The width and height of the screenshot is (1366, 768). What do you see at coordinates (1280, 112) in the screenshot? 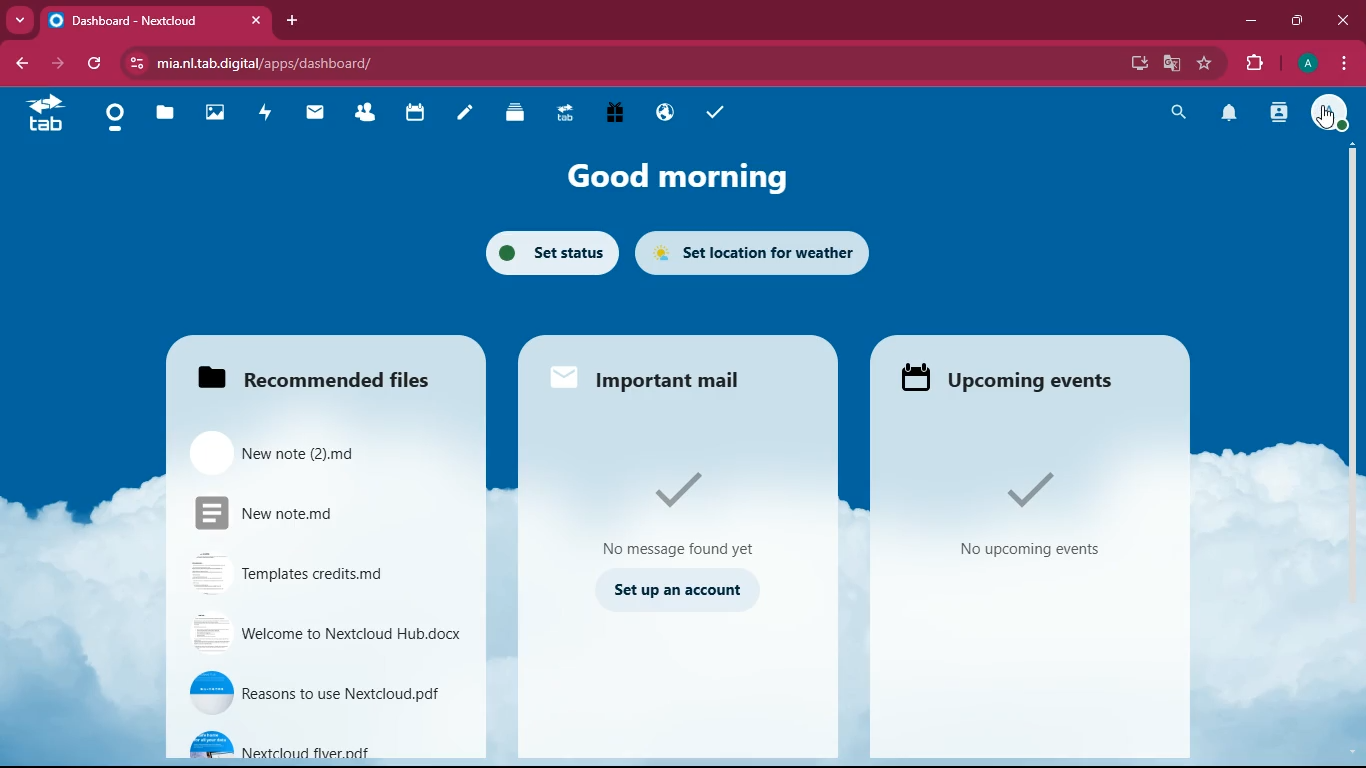
I see `activity` at bounding box center [1280, 112].